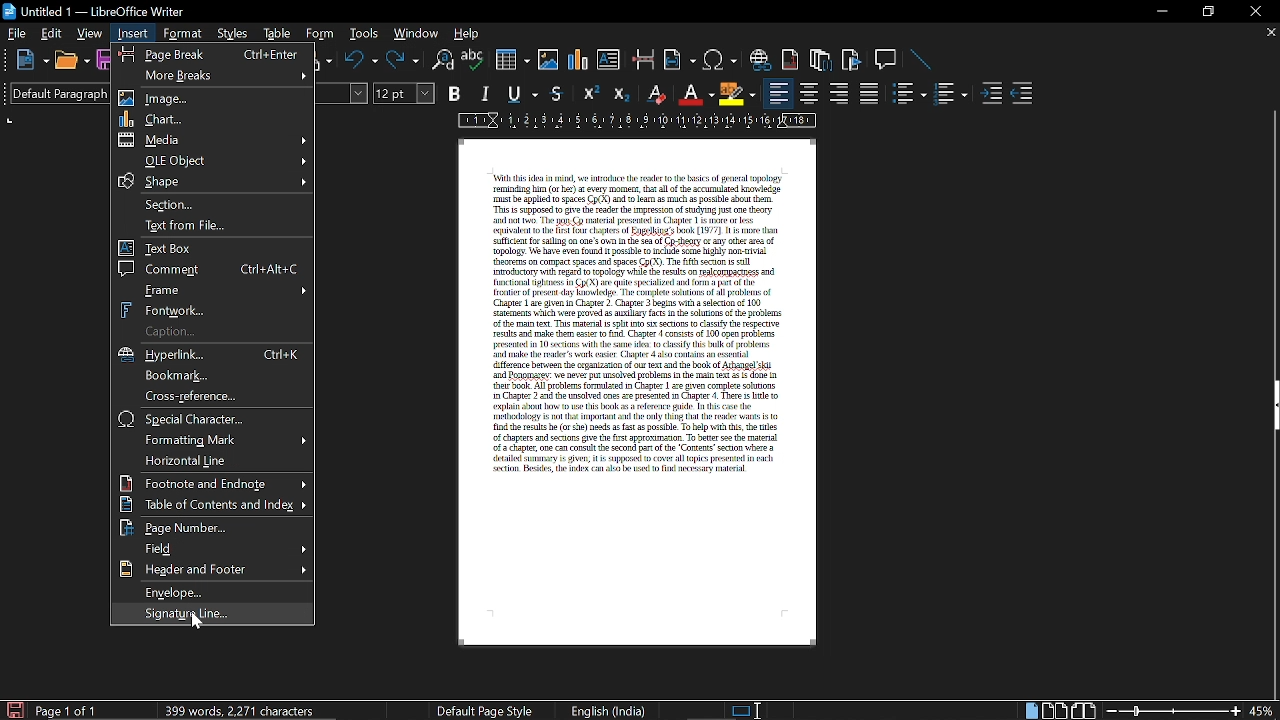  Describe the element at coordinates (214, 76) in the screenshot. I see `more breaks` at that location.